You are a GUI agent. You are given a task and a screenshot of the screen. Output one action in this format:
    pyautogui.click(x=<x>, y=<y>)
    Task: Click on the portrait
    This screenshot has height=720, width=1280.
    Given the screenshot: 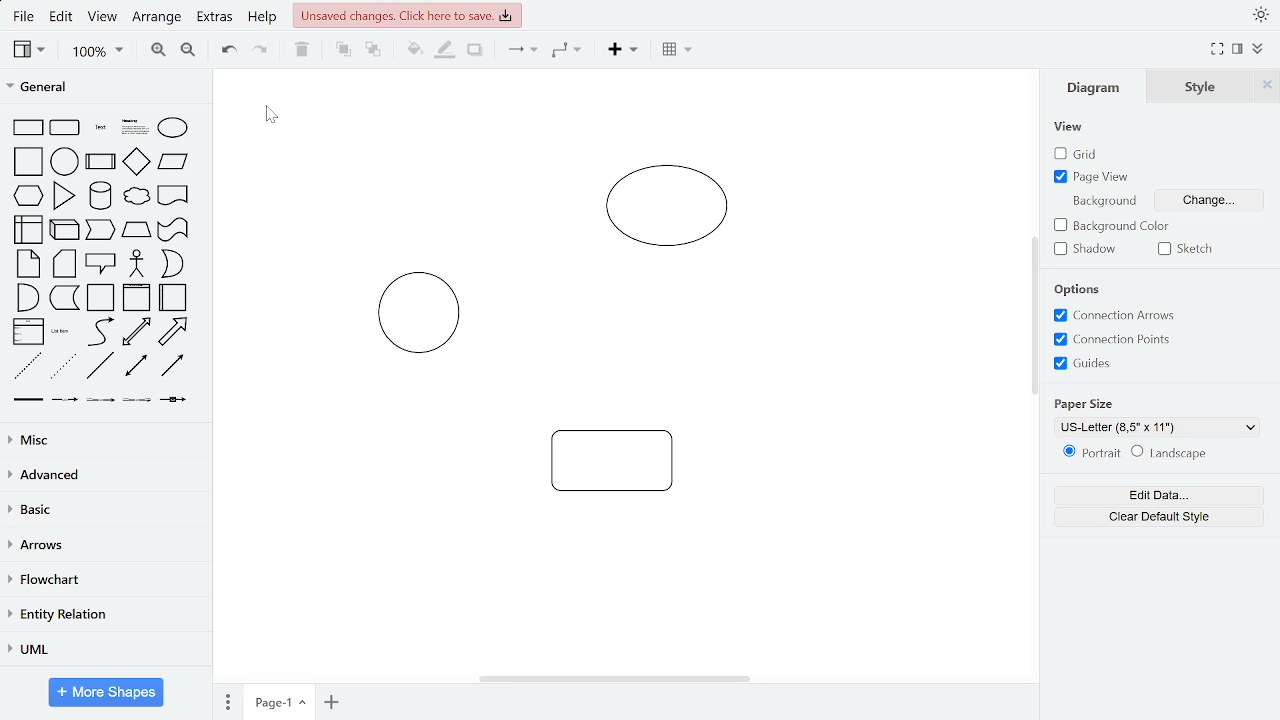 What is the action you would take?
    pyautogui.click(x=1088, y=453)
    